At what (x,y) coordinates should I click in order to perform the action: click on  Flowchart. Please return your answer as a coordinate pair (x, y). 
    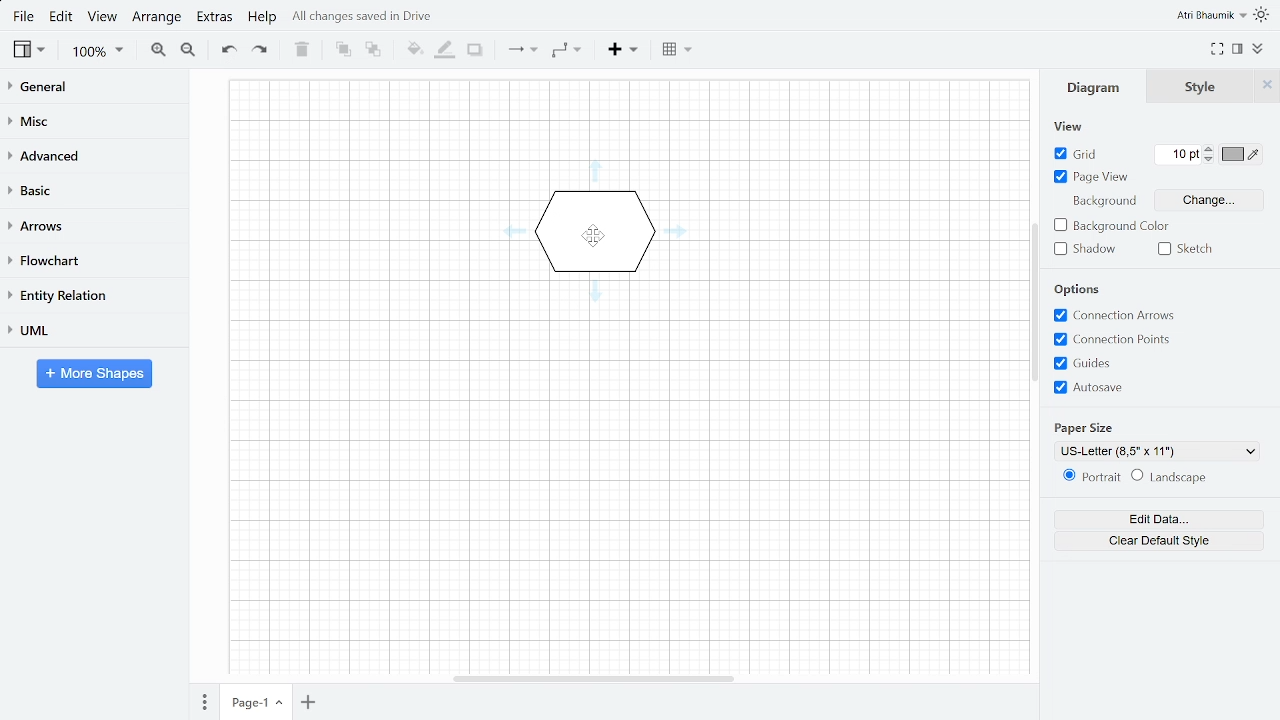
    Looking at the image, I should click on (86, 258).